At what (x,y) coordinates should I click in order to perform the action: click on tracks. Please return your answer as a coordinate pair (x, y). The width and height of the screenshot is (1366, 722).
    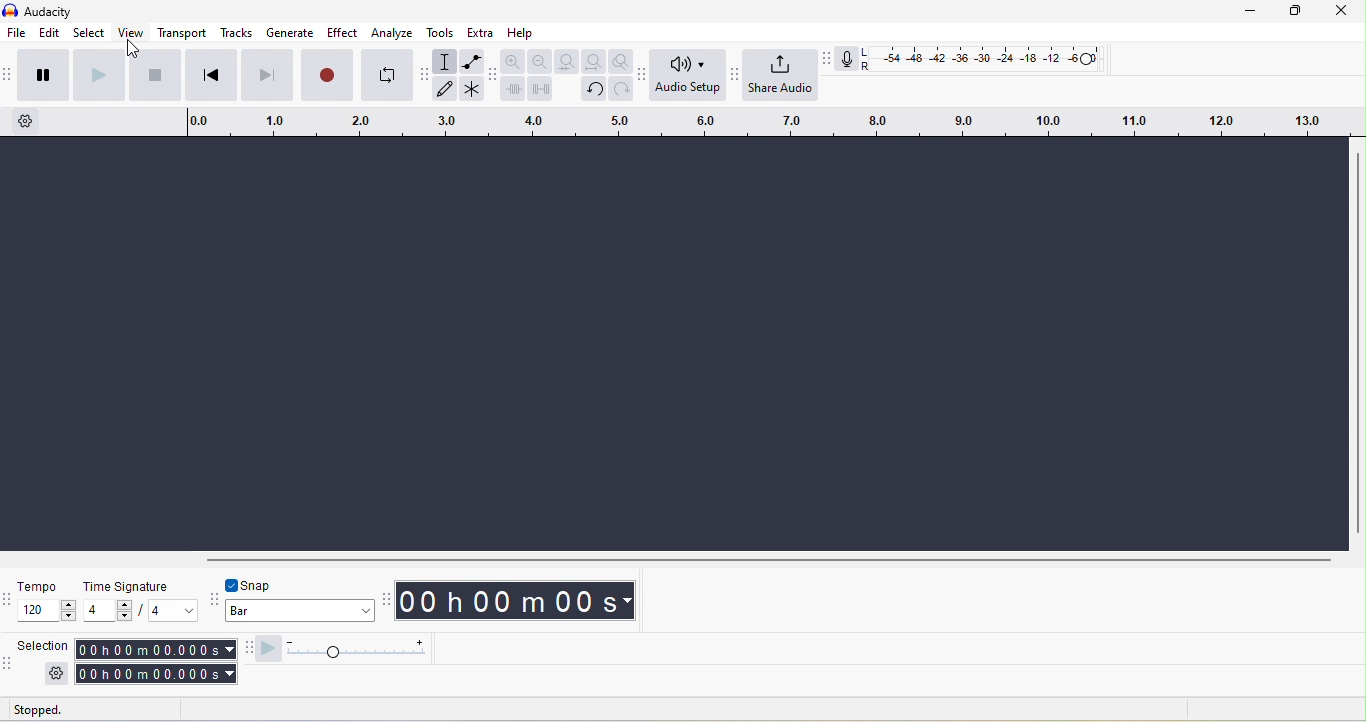
    Looking at the image, I should click on (236, 32).